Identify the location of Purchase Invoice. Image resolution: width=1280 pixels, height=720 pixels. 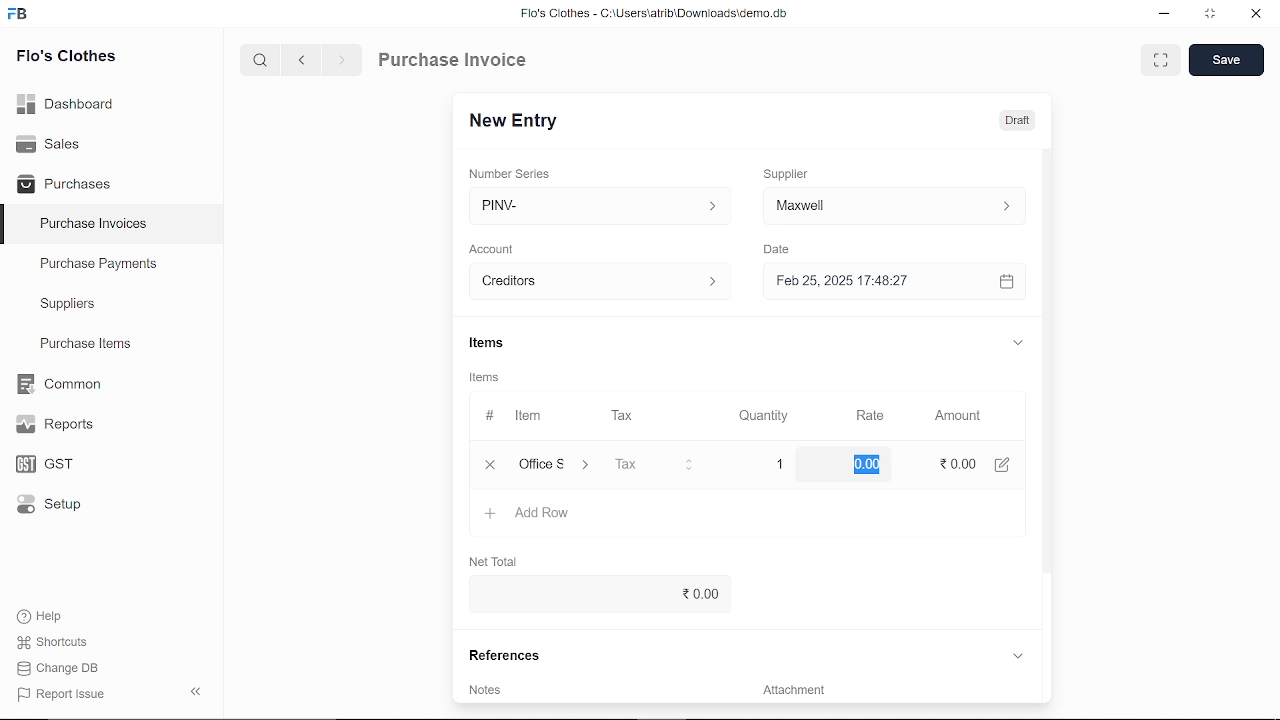
(456, 62).